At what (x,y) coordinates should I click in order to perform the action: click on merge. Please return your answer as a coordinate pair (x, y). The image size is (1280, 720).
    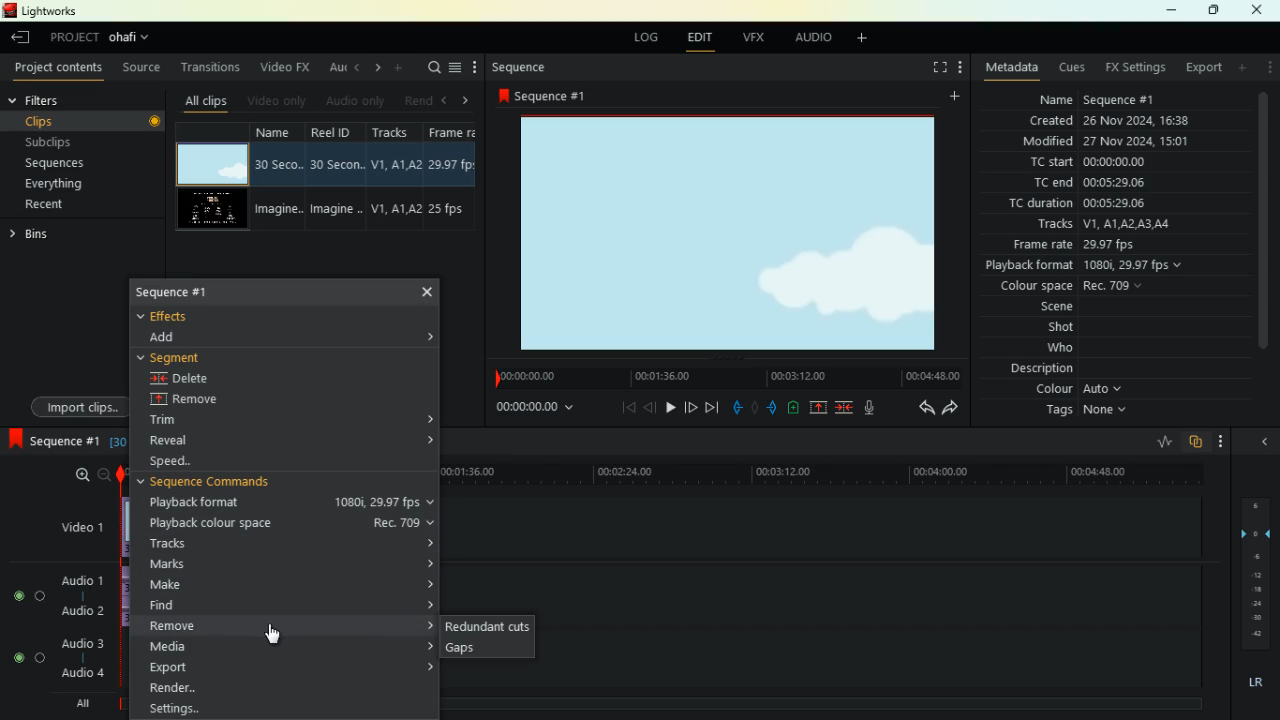
    Looking at the image, I should click on (843, 407).